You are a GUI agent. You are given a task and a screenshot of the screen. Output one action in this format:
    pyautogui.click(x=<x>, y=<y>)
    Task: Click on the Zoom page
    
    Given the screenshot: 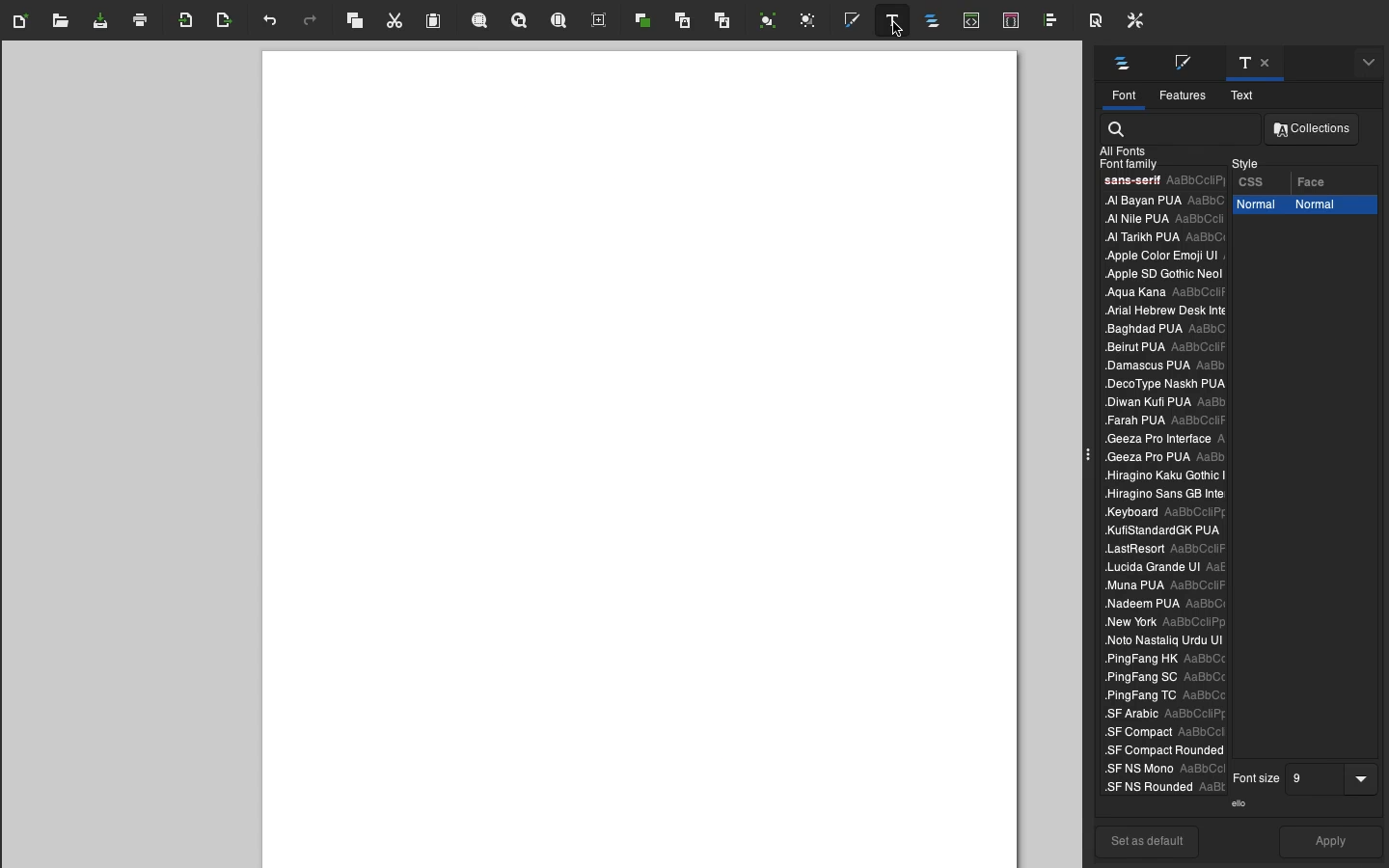 What is the action you would take?
    pyautogui.click(x=561, y=19)
    